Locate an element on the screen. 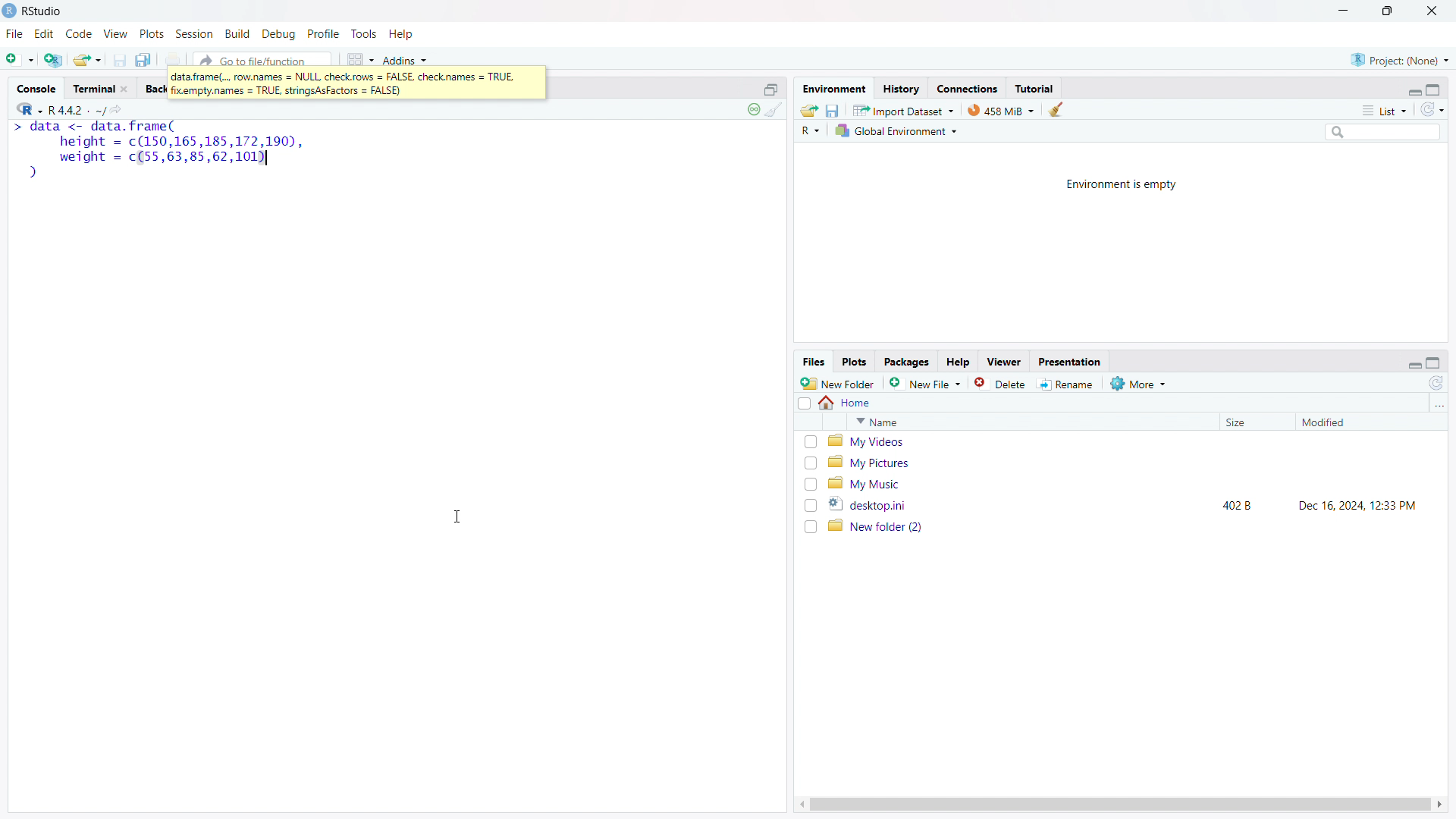 Image resolution: width=1456 pixels, height=819 pixels. edit is located at coordinates (45, 34).